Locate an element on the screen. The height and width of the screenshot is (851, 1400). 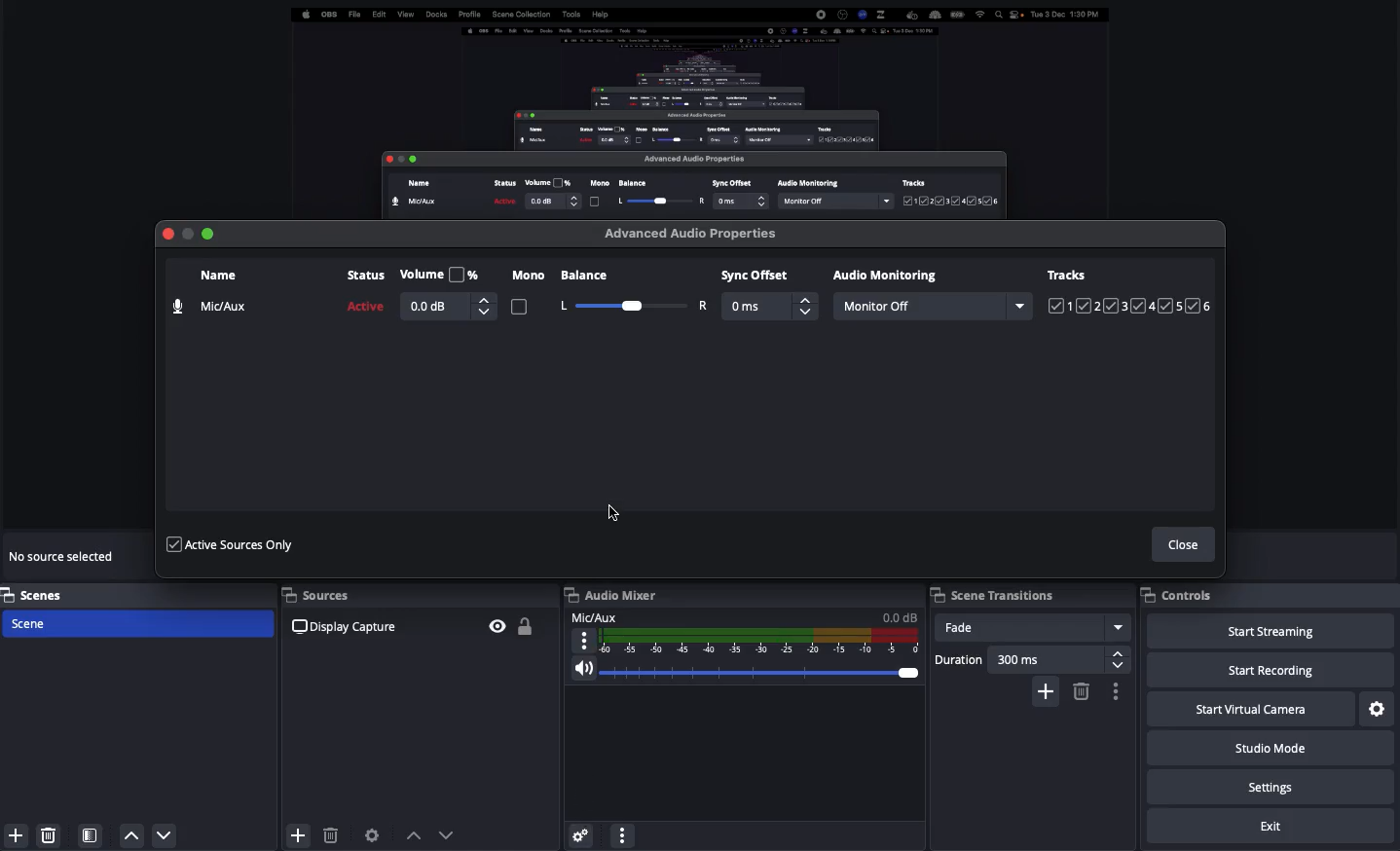
Scene transition is located at coordinates (992, 594).